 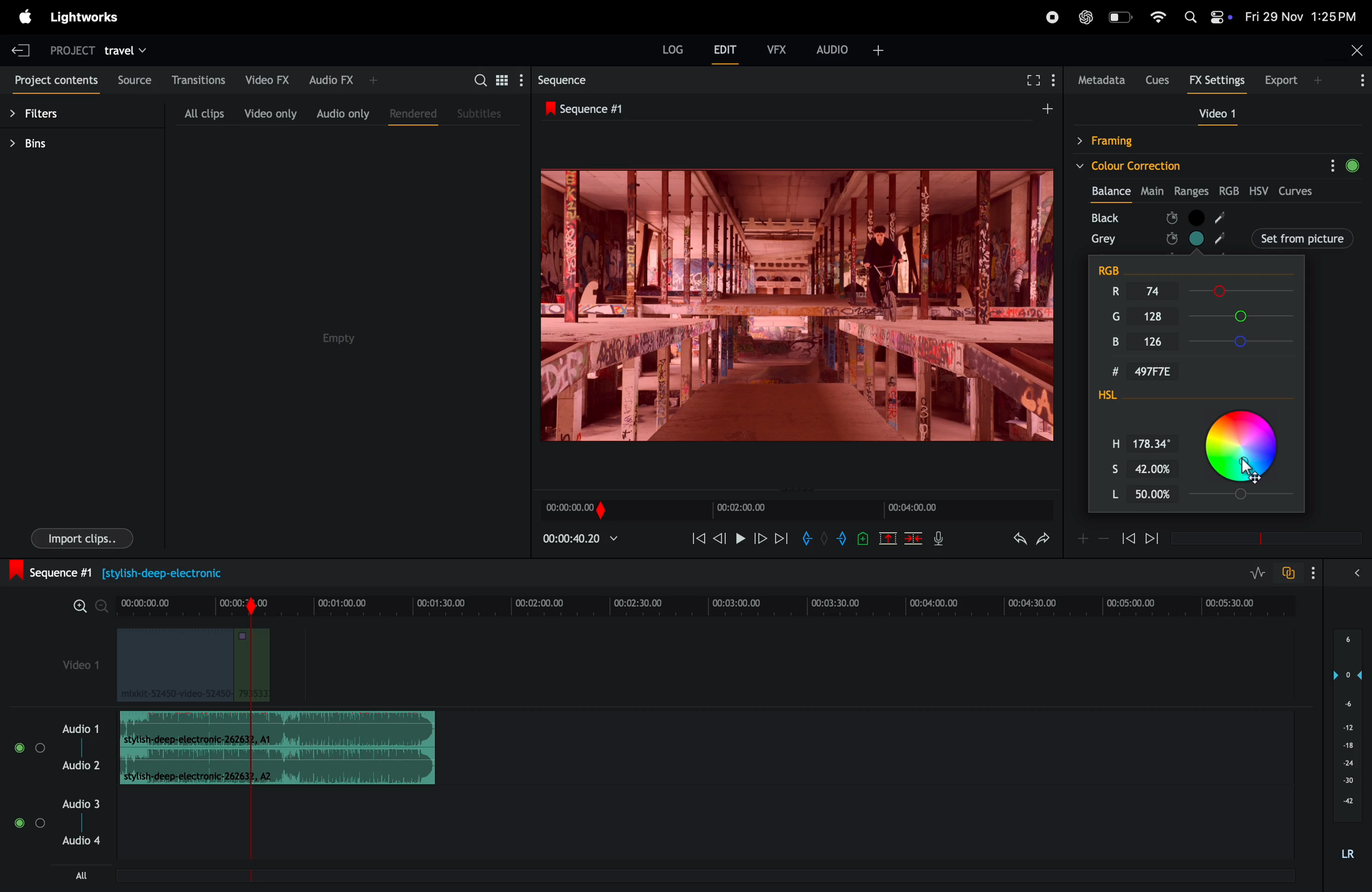 I want to click on add in mark, so click(x=806, y=538).